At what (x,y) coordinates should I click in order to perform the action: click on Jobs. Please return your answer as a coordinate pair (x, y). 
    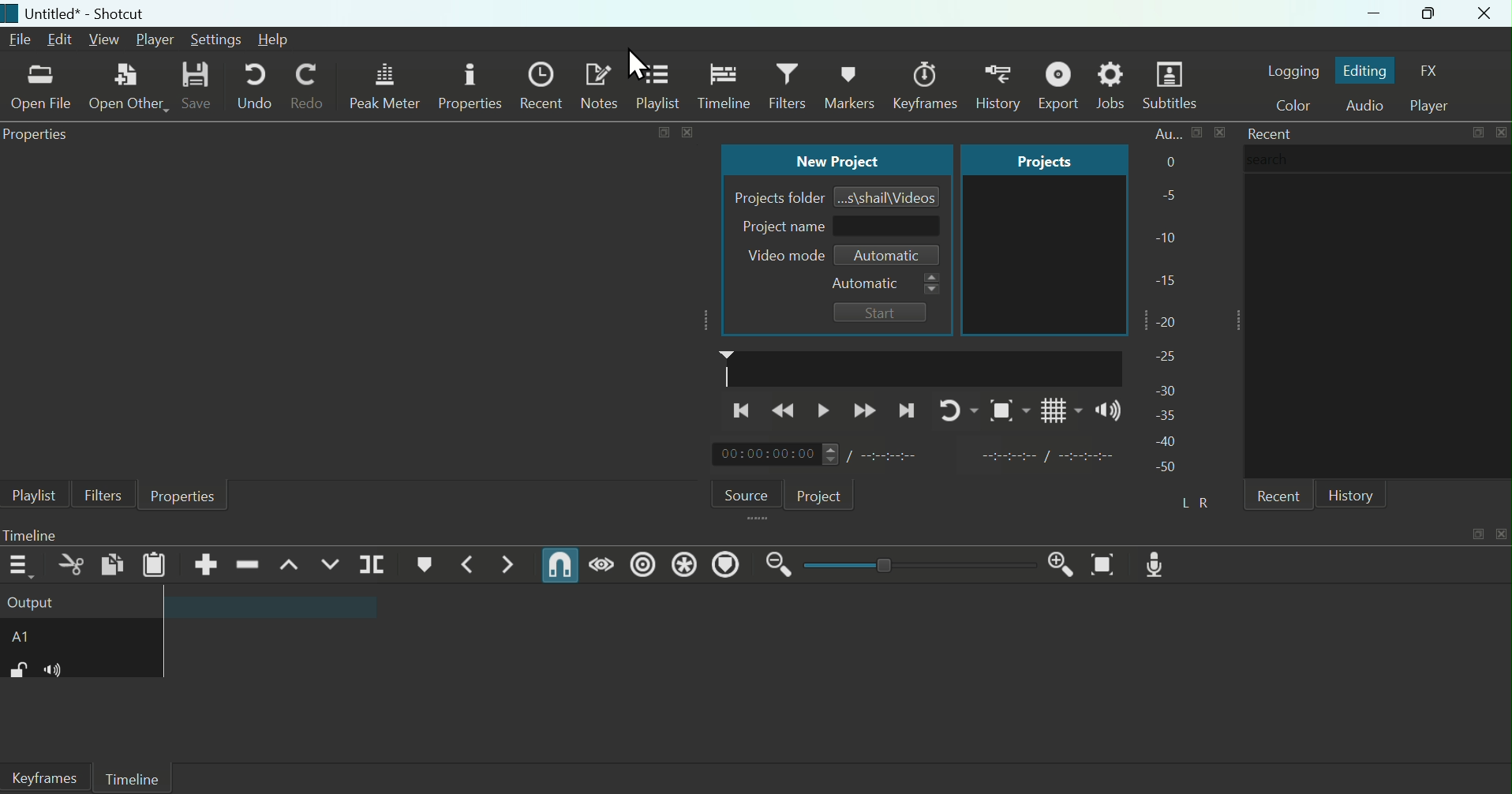
    Looking at the image, I should click on (1114, 86).